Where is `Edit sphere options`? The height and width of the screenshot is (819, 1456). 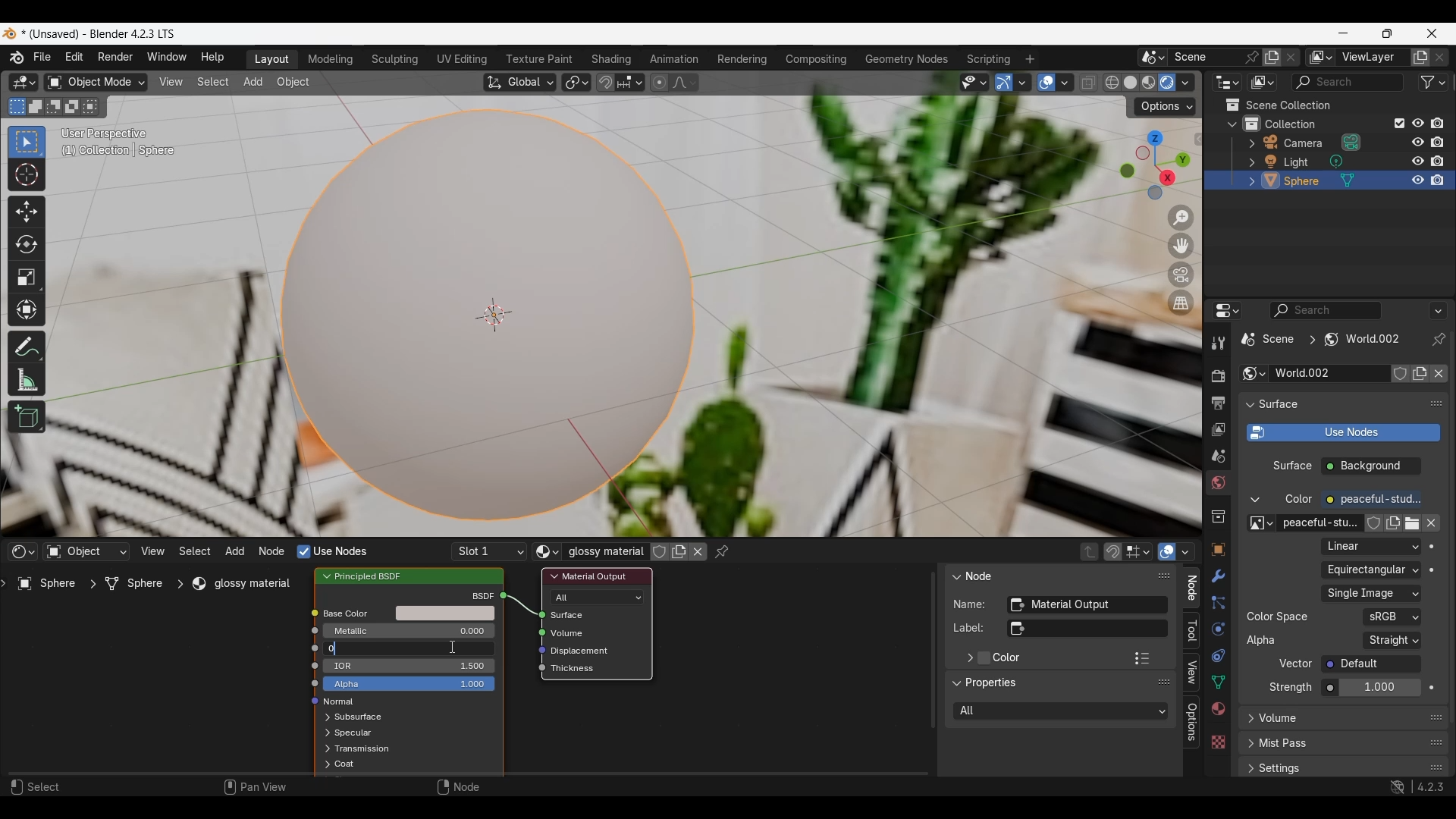 Edit sphere options is located at coordinates (1271, 180).